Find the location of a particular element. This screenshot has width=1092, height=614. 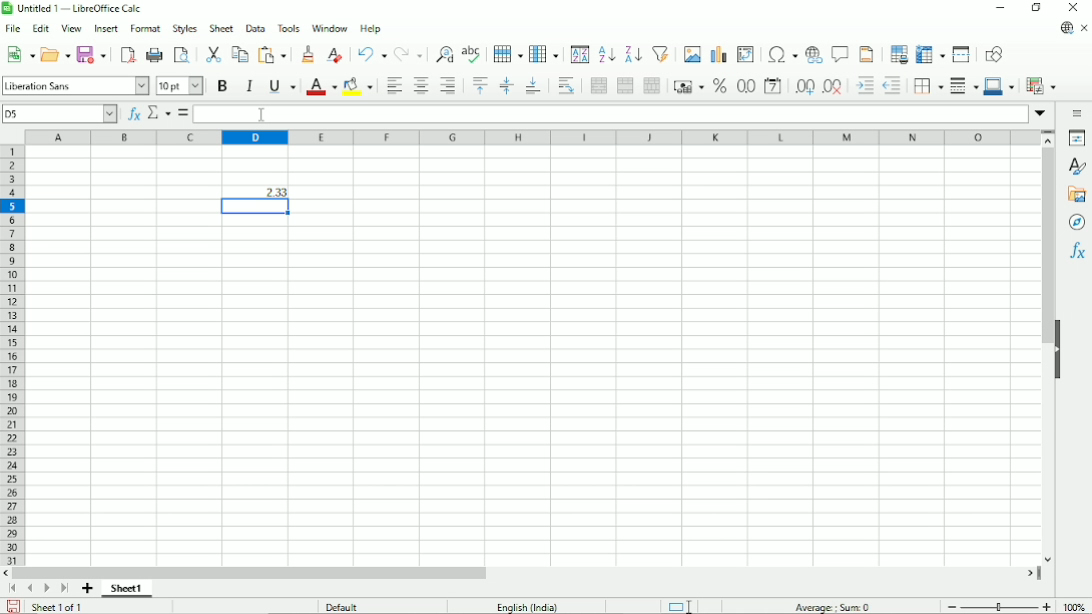

View is located at coordinates (72, 29).